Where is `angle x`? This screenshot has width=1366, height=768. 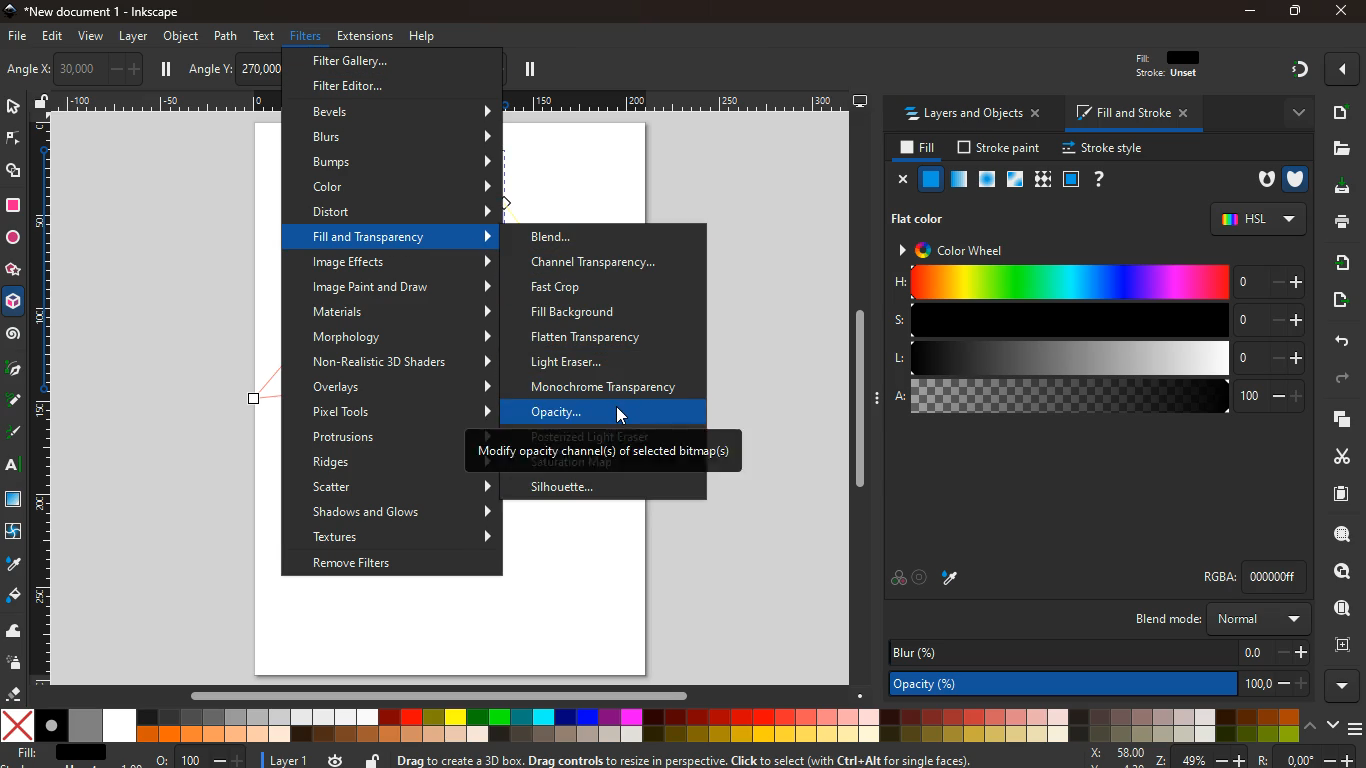 angle x is located at coordinates (89, 67).